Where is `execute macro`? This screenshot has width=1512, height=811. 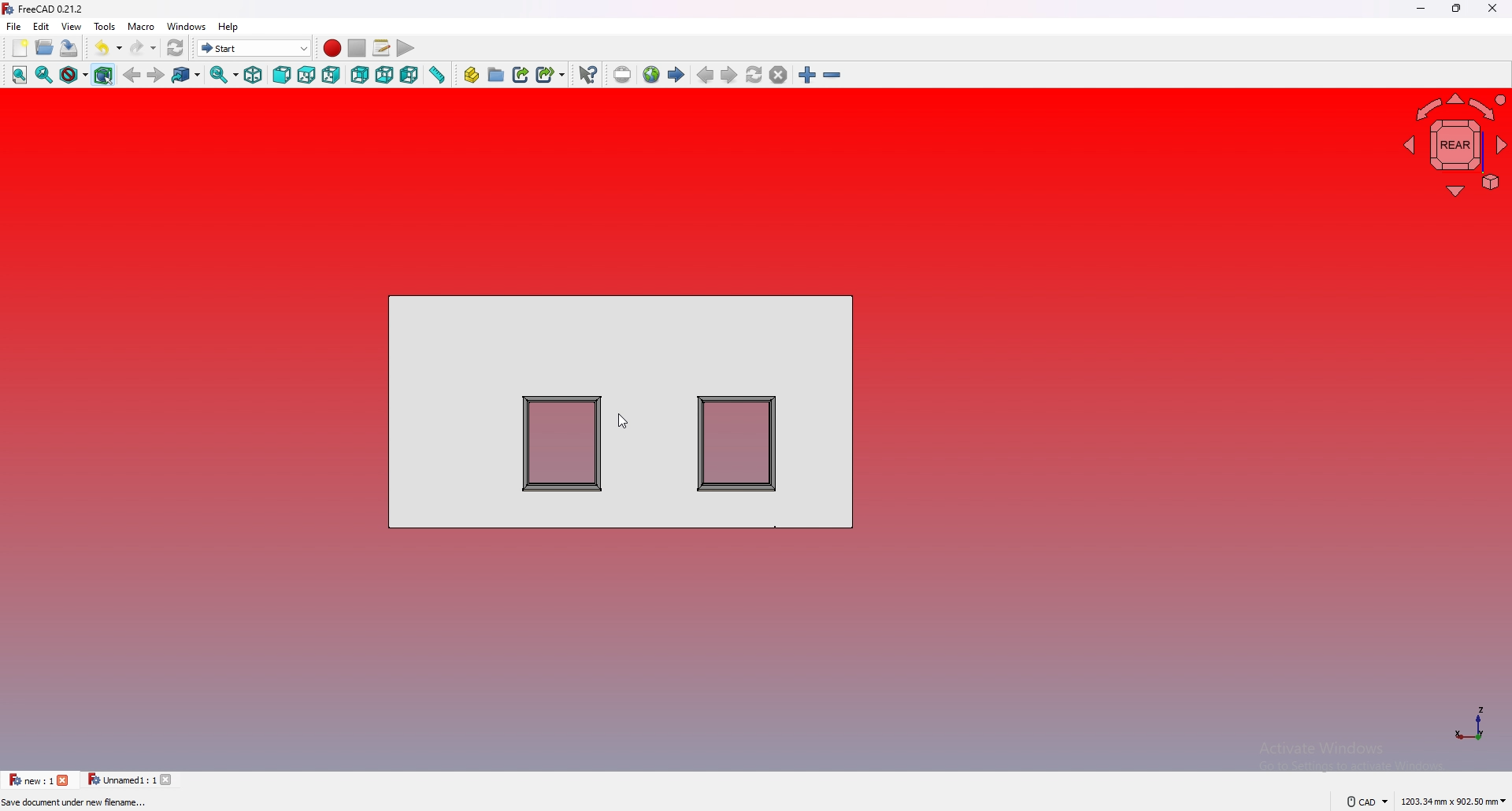
execute macro is located at coordinates (406, 49).